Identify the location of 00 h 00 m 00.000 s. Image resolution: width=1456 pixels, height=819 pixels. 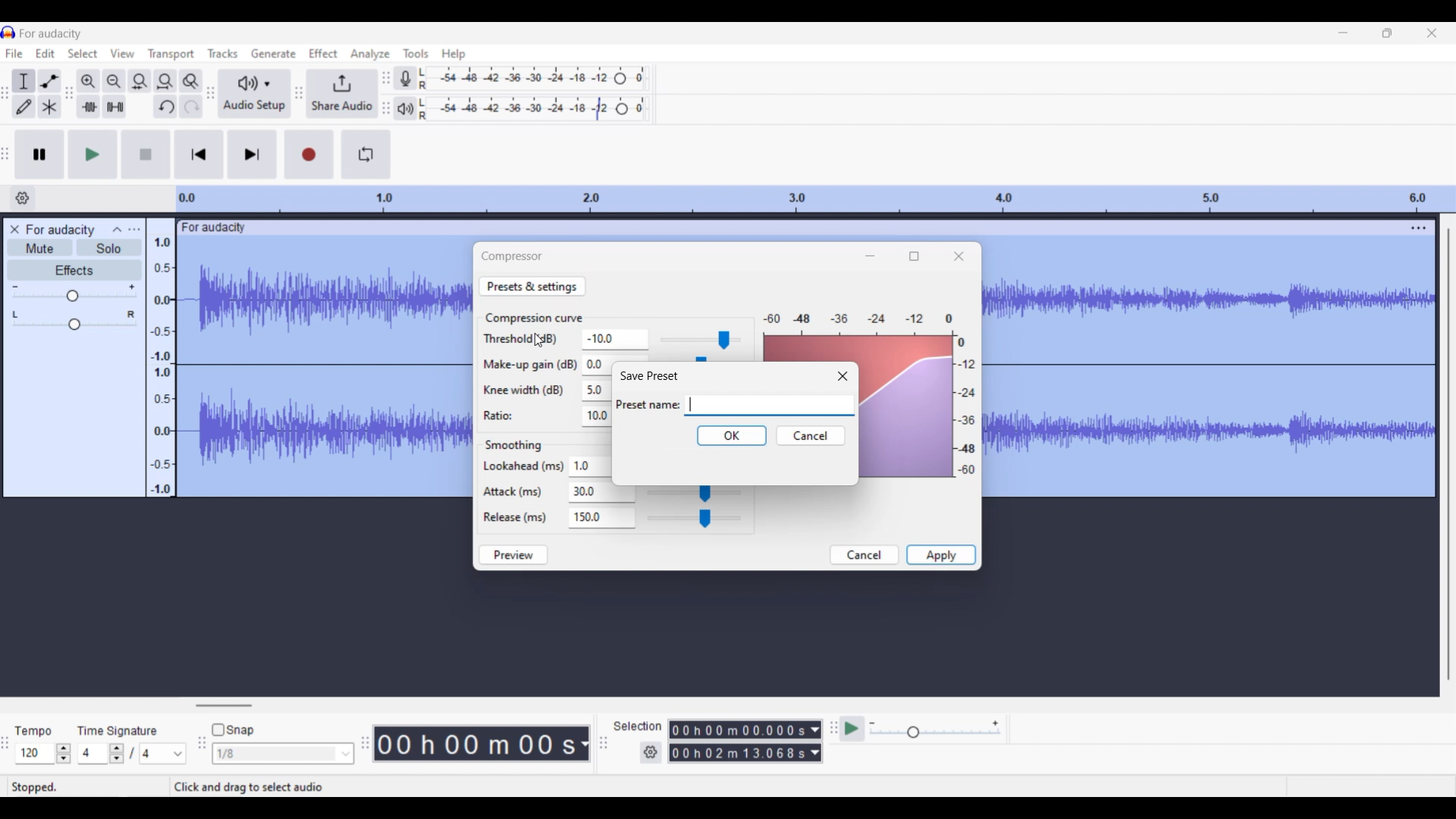
(738, 742).